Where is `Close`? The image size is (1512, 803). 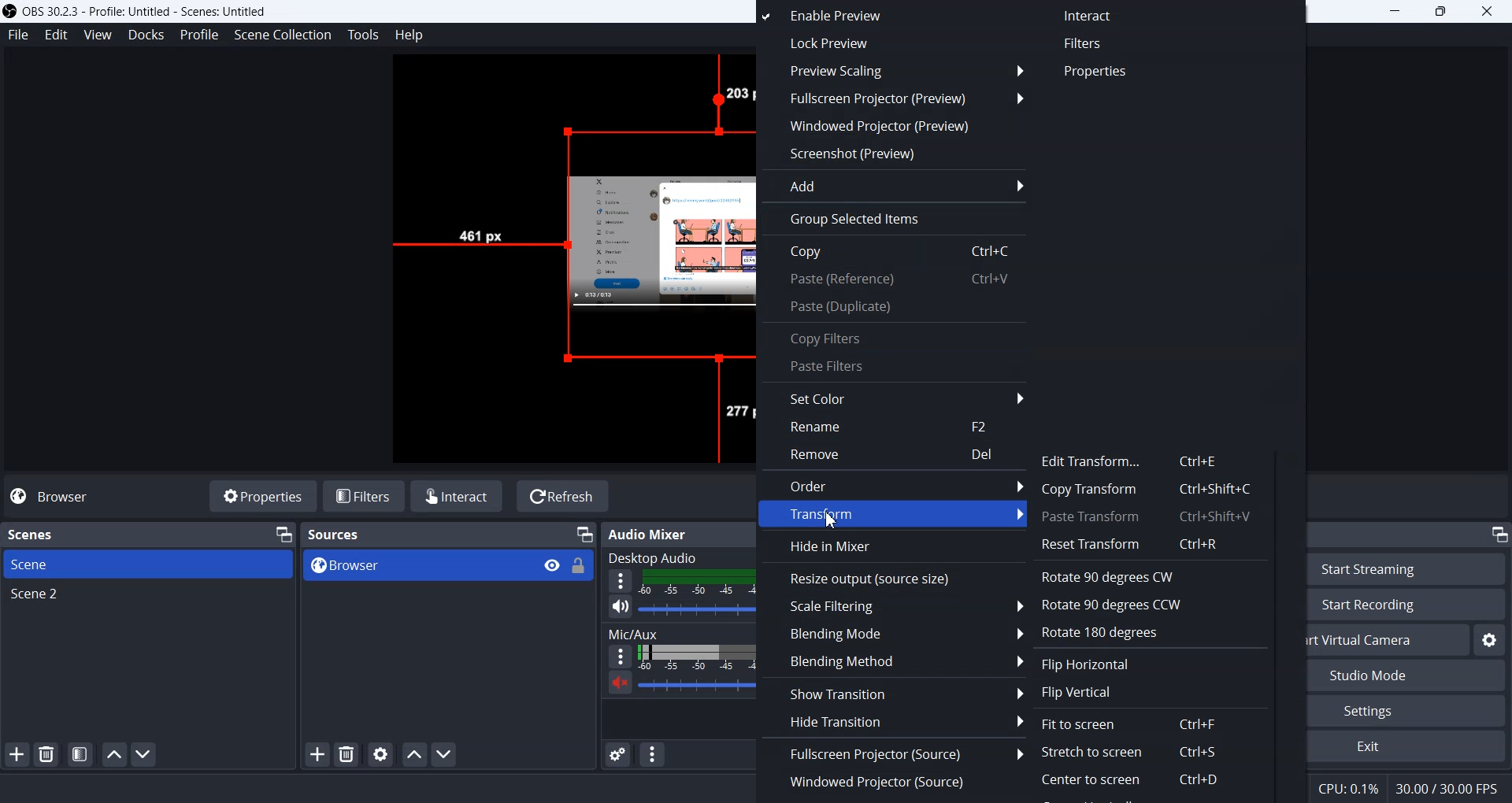
Close is located at coordinates (1488, 13).